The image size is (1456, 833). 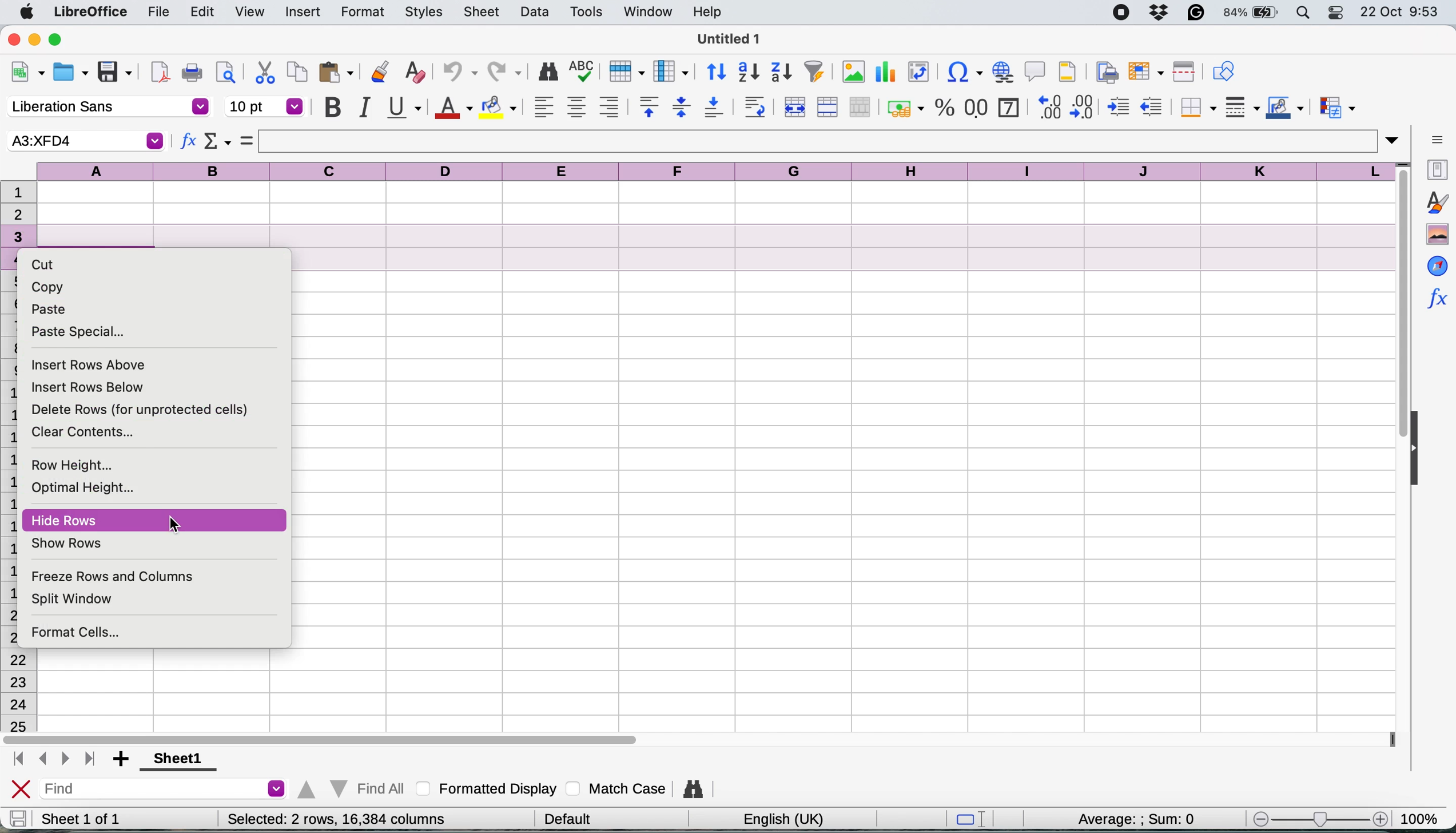 I want to click on optimal height, so click(x=86, y=489).